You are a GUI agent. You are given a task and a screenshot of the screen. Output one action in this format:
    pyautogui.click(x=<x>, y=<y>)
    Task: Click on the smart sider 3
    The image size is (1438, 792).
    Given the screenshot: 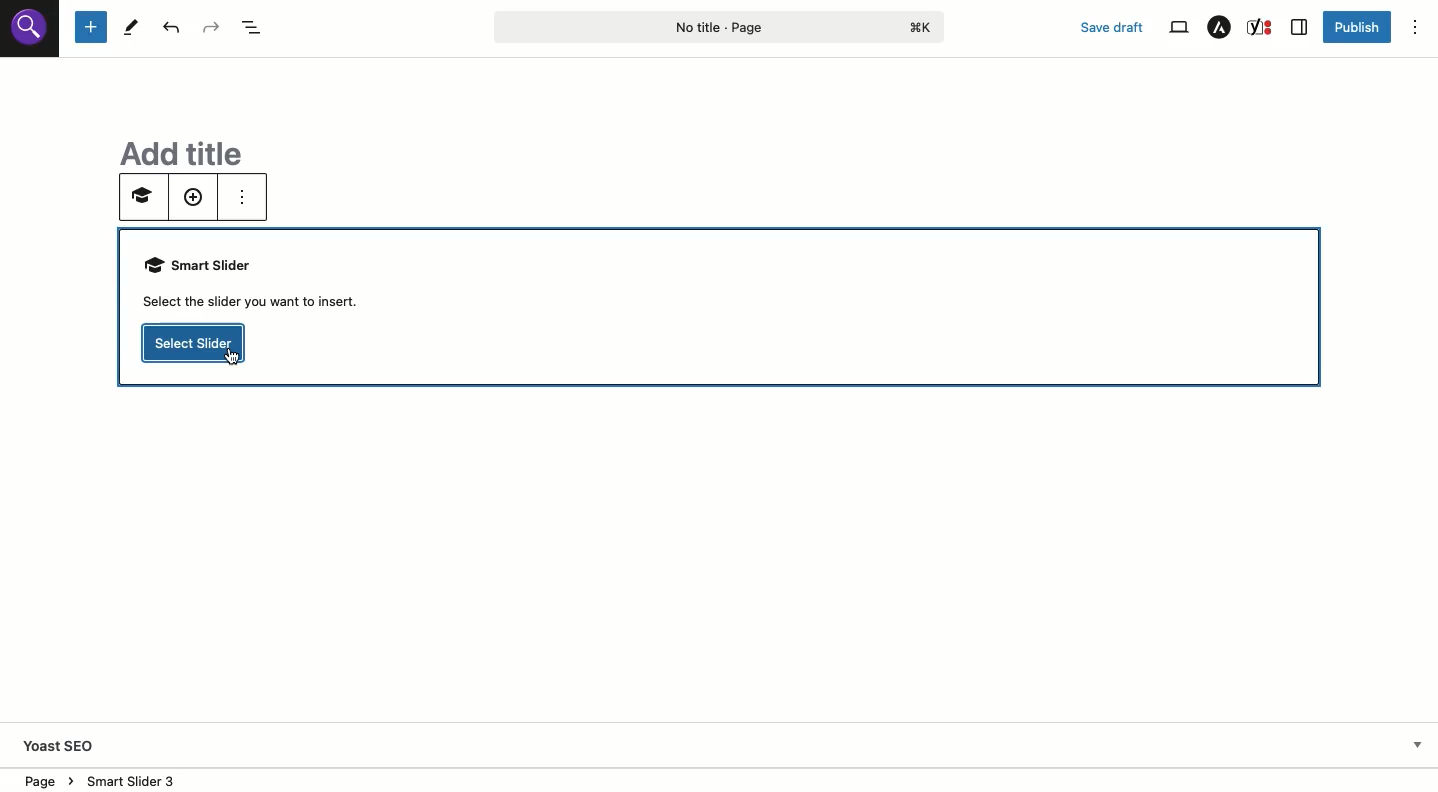 What is the action you would take?
    pyautogui.click(x=129, y=777)
    